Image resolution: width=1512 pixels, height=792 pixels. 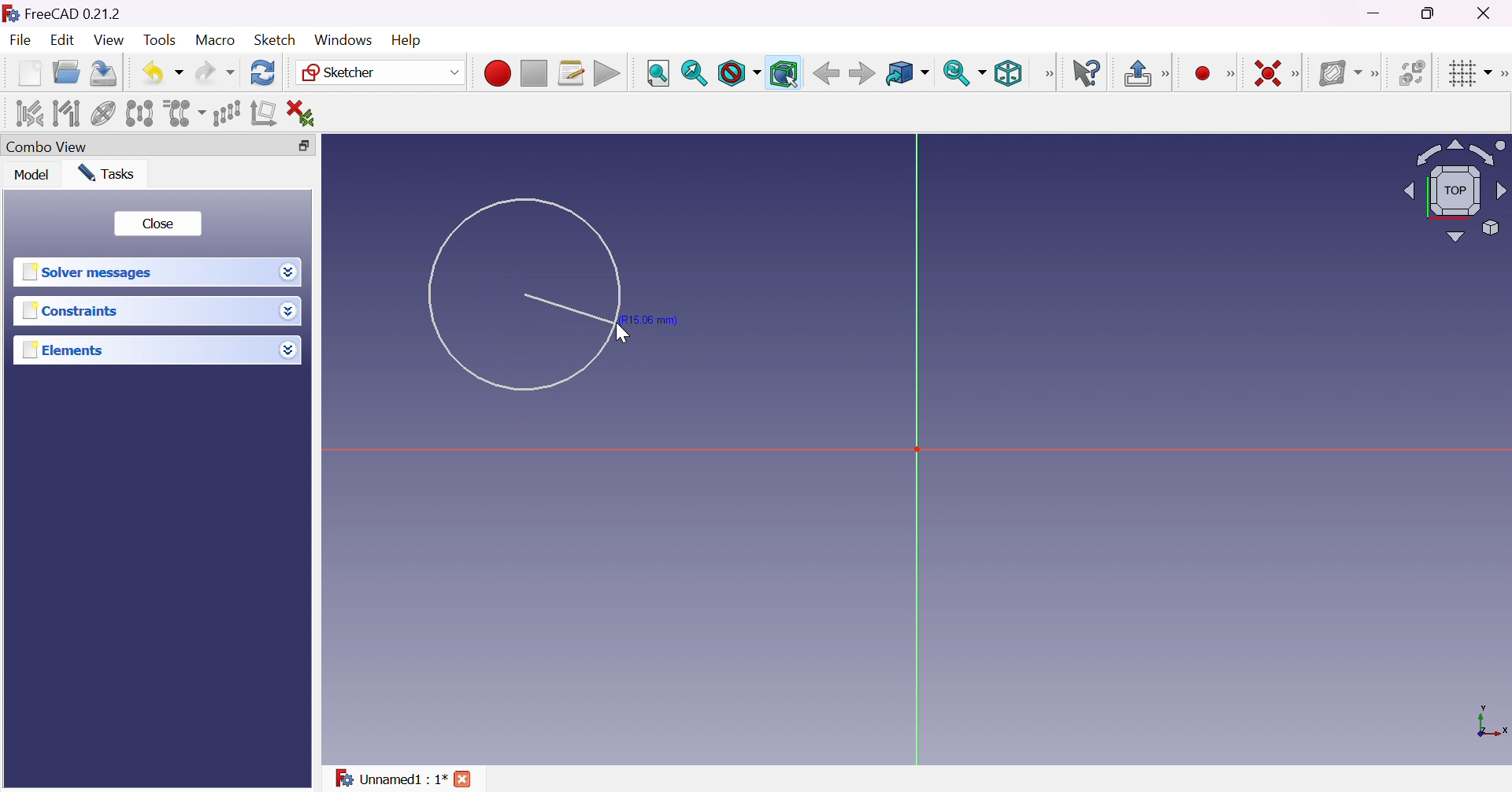 I want to click on Switch virtual space, so click(x=1415, y=72).